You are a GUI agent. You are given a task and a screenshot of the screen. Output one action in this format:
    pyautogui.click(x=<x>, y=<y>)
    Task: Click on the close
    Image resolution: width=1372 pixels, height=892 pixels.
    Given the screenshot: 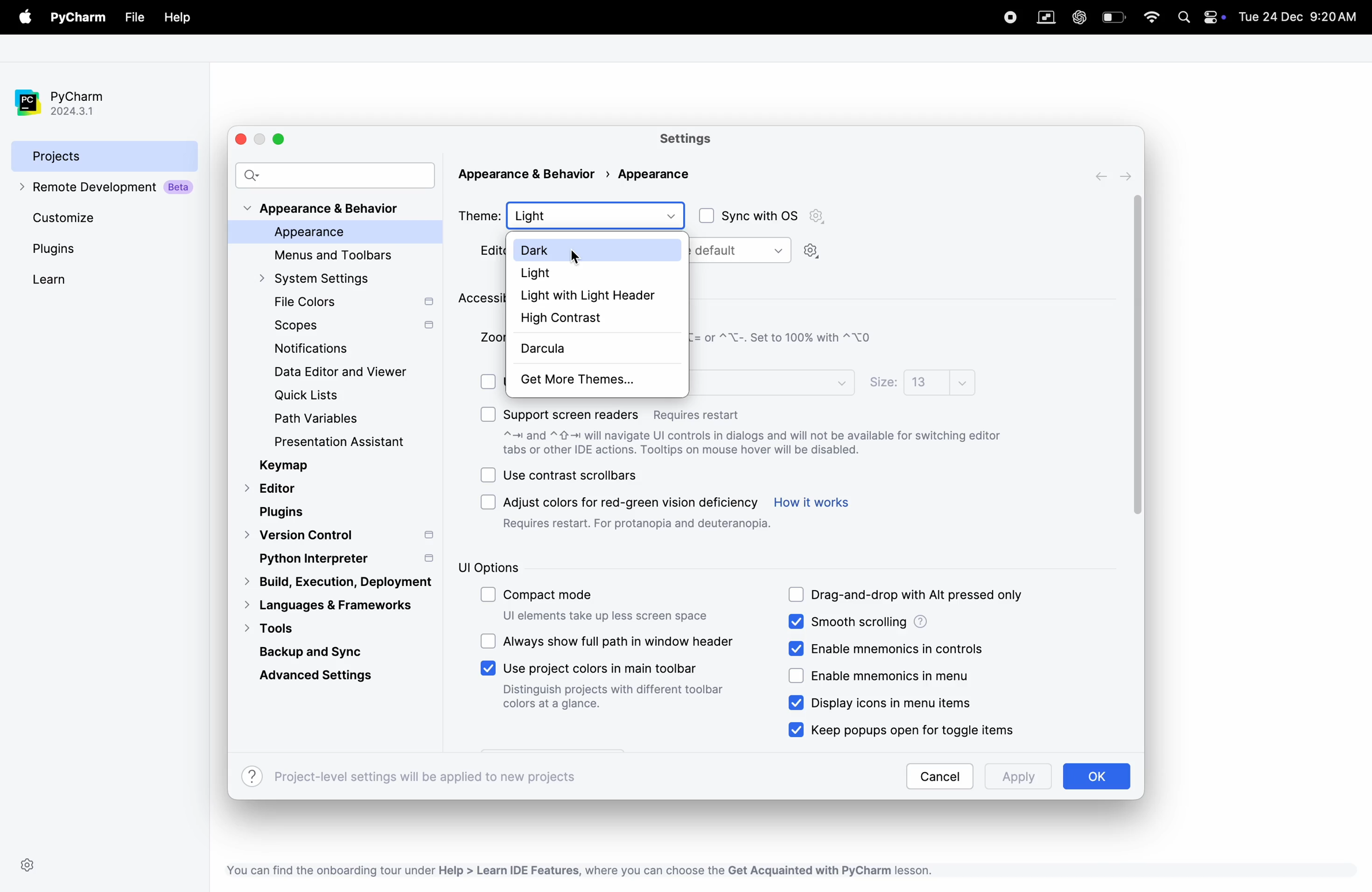 What is the action you would take?
    pyautogui.click(x=244, y=139)
    